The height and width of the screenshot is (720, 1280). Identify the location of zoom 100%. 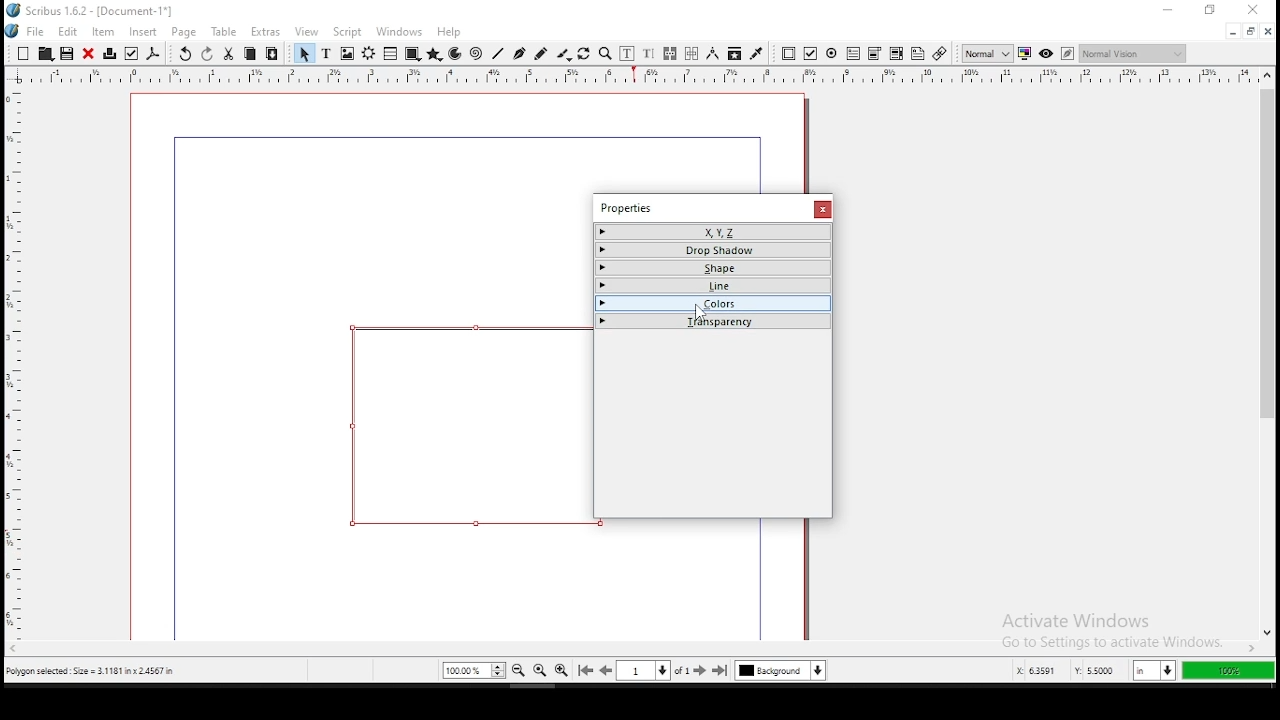
(540, 670).